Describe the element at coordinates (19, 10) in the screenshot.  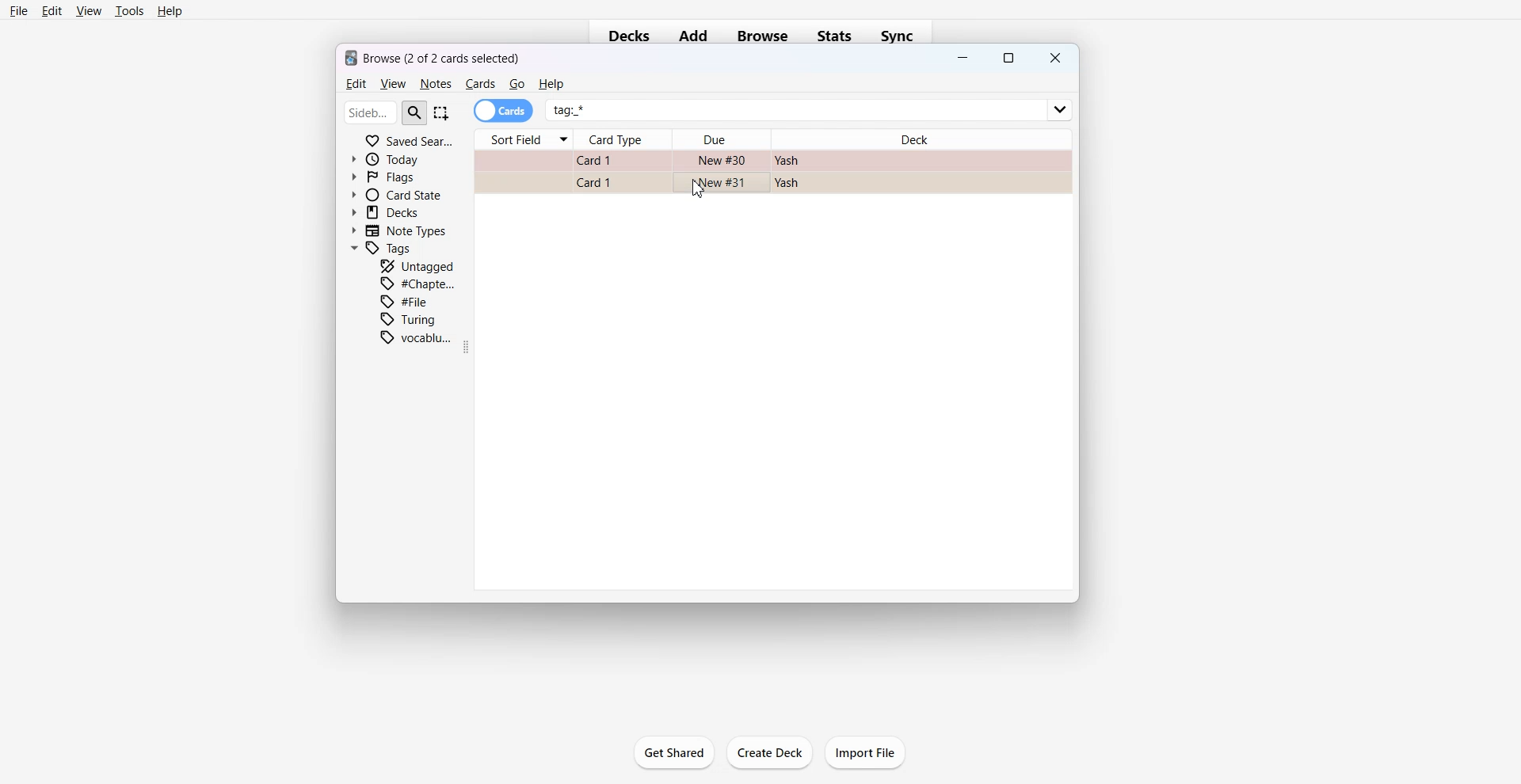
I see `File` at that location.